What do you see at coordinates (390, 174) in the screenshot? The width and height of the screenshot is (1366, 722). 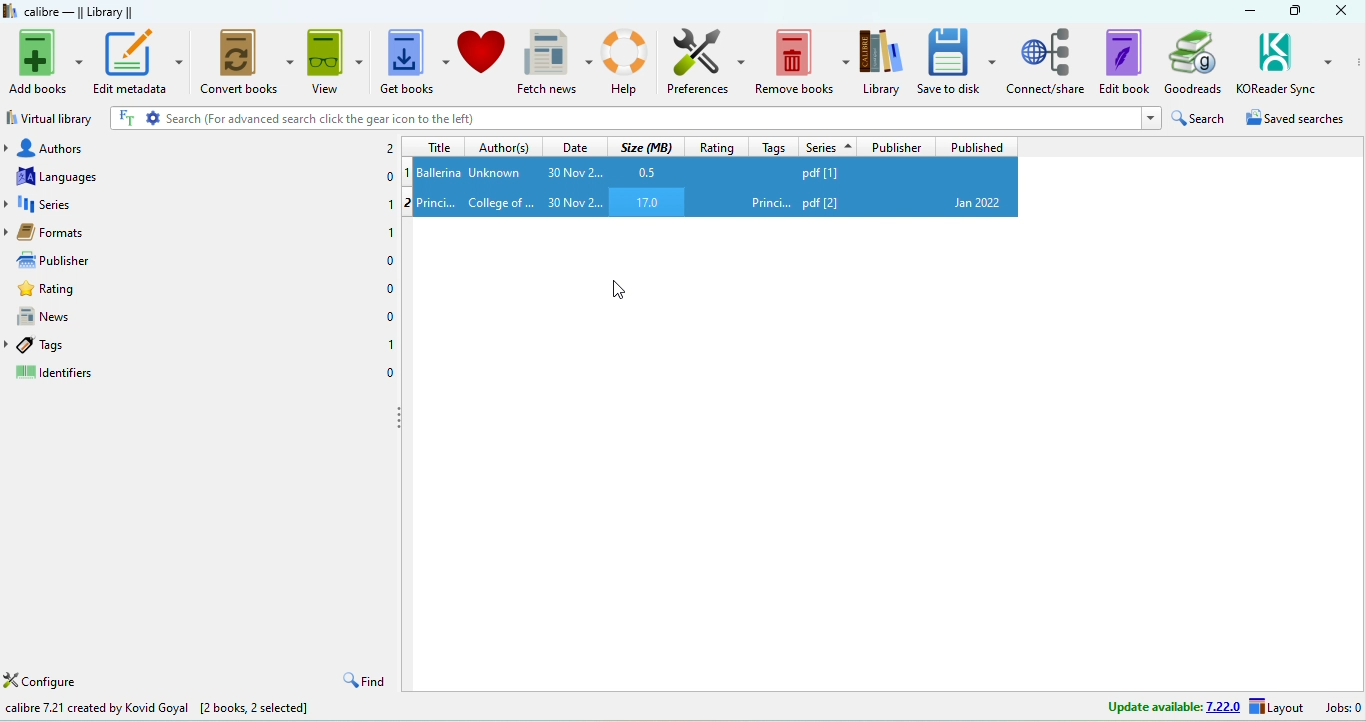 I see `0` at bounding box center [390, 174].